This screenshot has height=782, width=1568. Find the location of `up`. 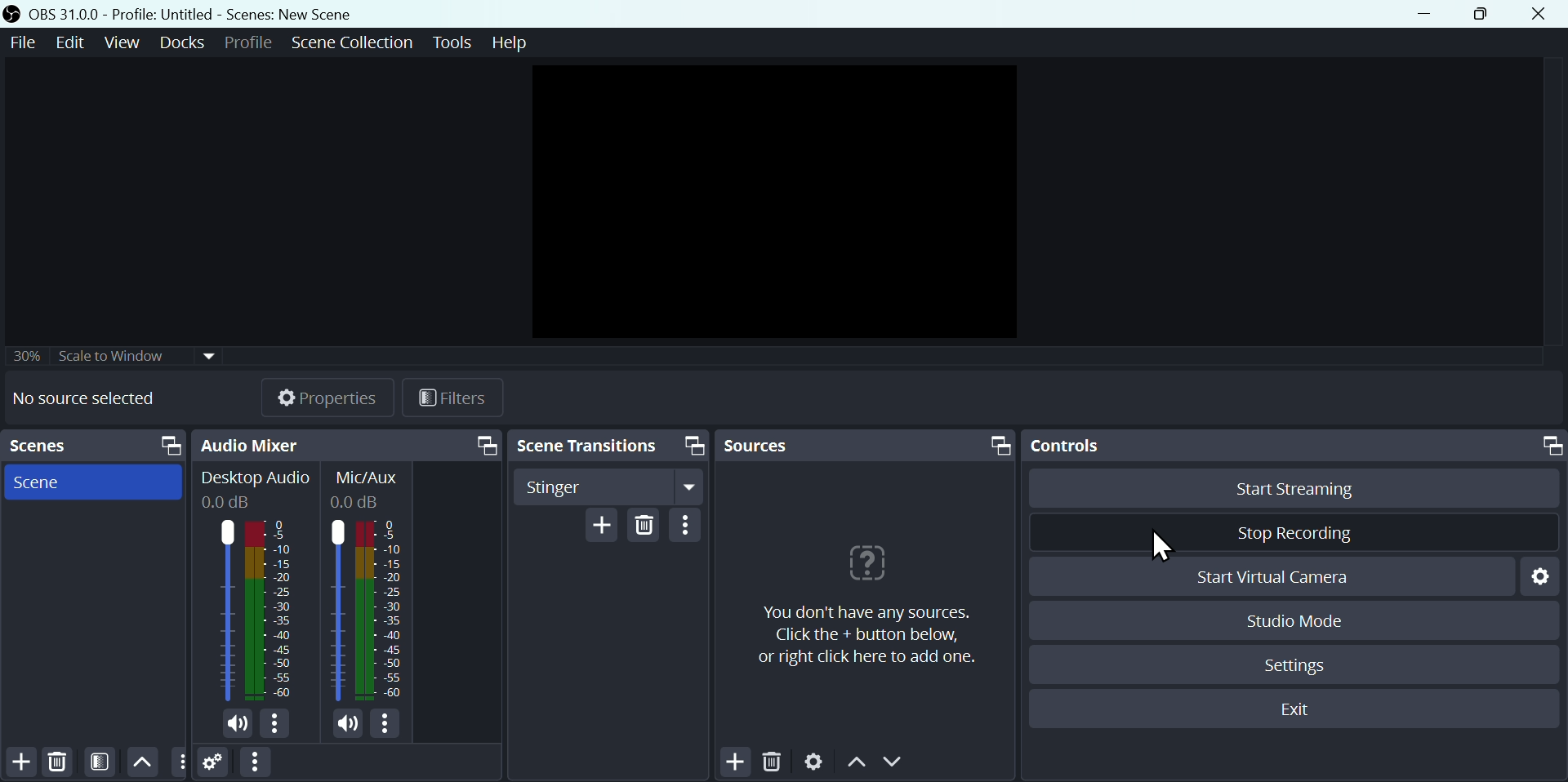

up is located at coordinates (855, 763).